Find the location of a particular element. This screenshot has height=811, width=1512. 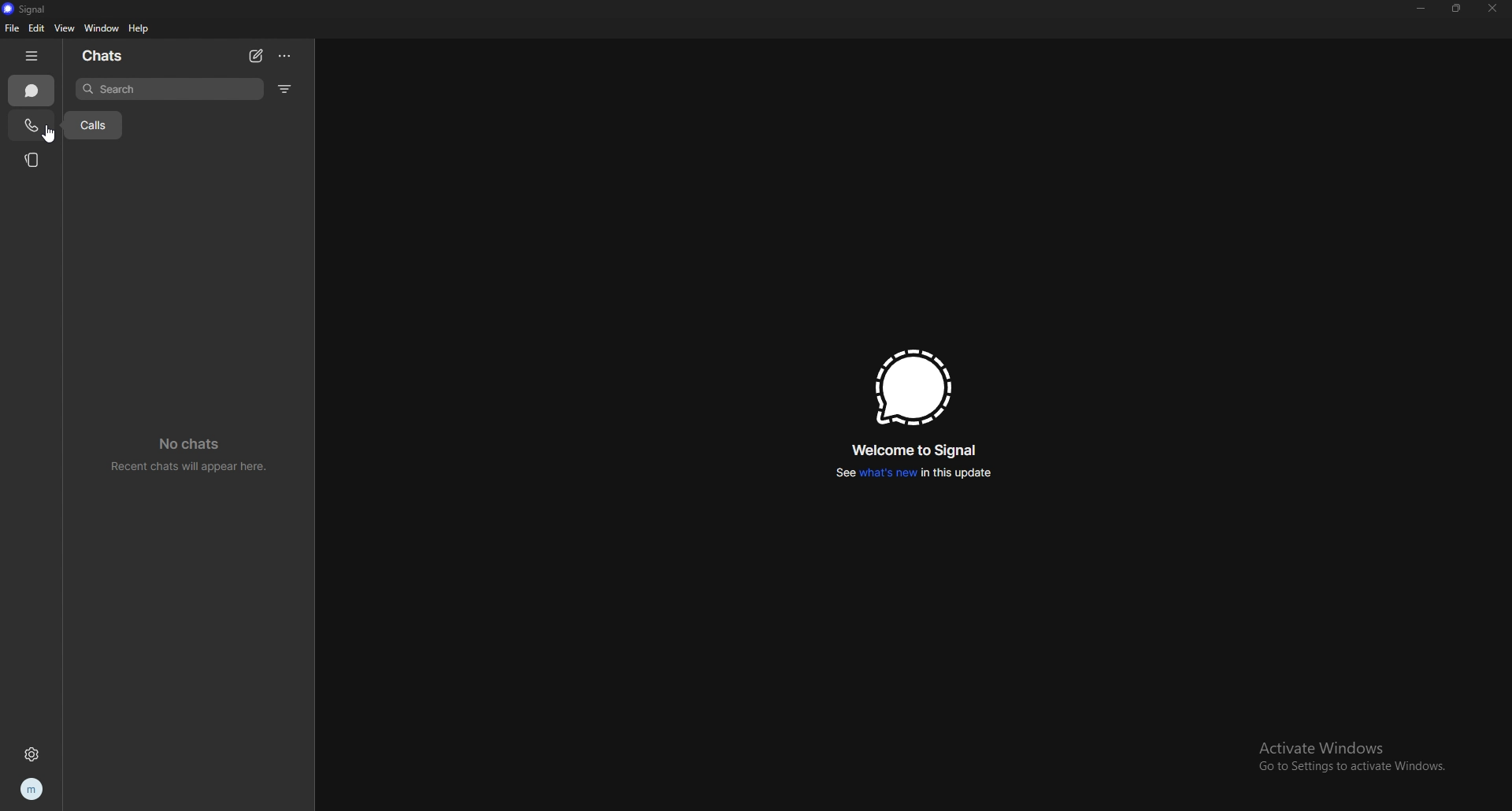

options is located at coordinates (287, 55).